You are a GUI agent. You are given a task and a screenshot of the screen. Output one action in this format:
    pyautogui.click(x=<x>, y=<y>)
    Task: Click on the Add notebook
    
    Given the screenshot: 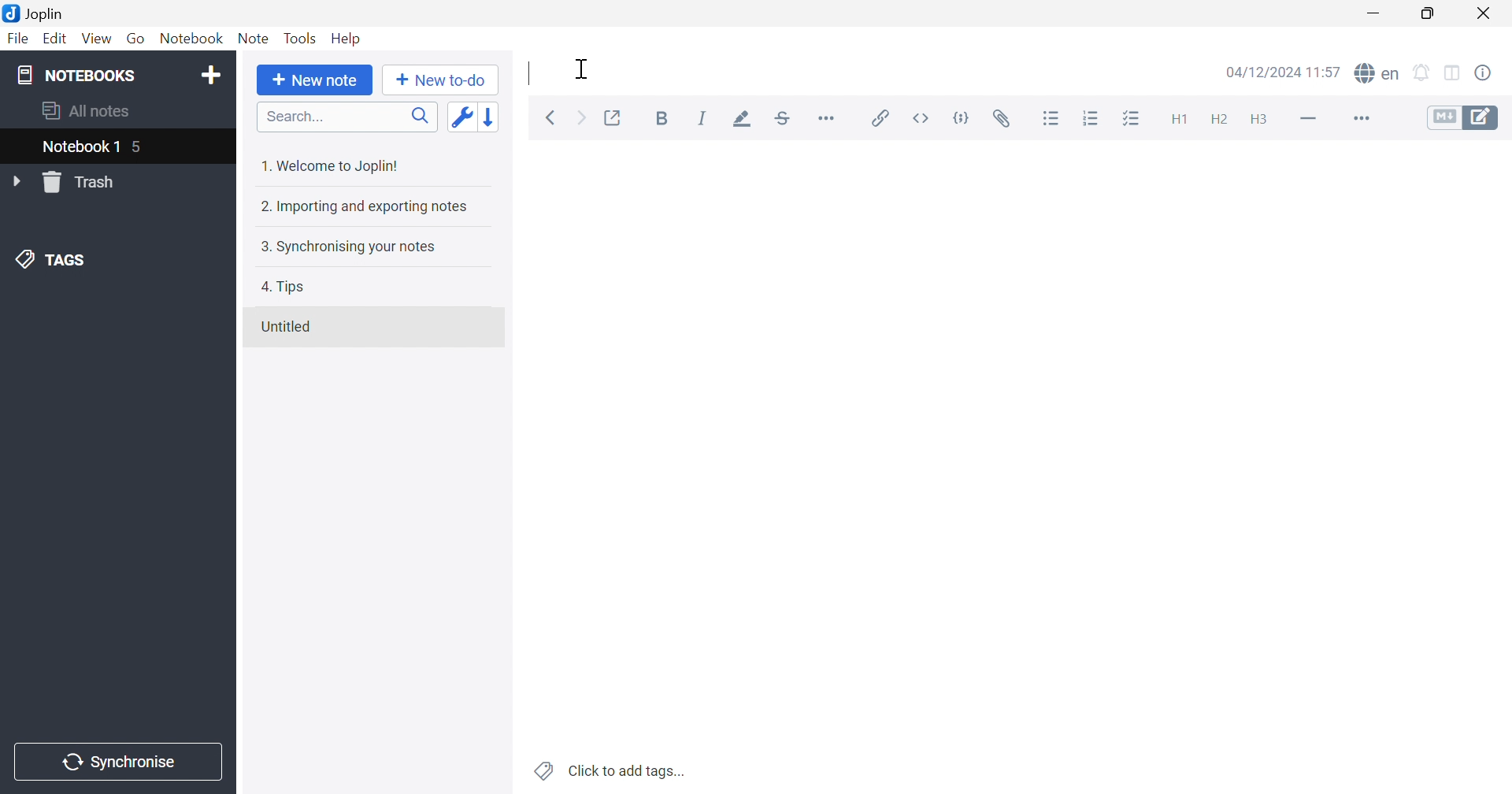 What is the action you would take?
    pyautogui.click(x=213, y=76)
    